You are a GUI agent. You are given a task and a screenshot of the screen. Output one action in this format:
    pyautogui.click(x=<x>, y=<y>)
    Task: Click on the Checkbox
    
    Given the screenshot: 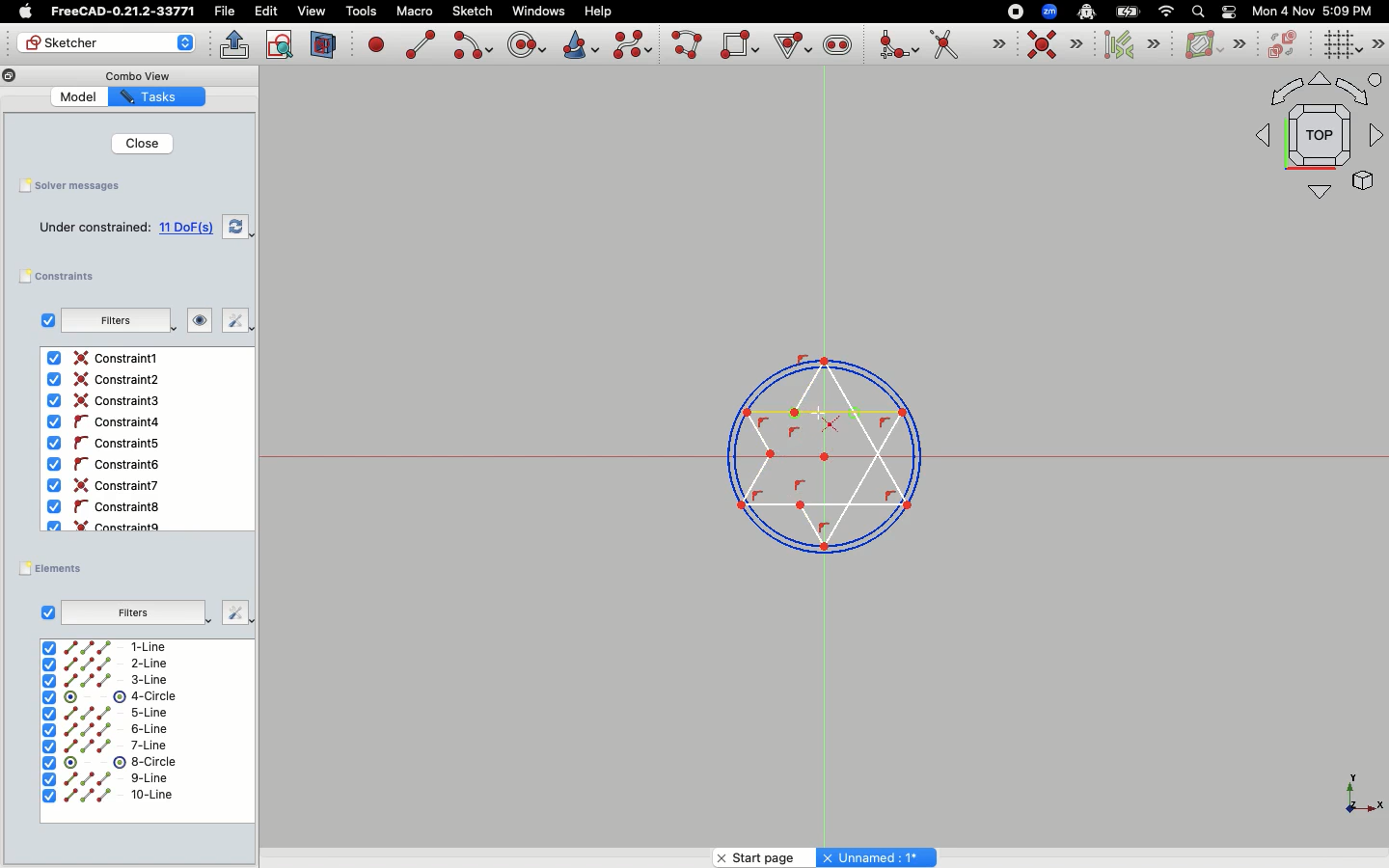 What is the action you would take?
    pyautogui.click(x=43, y=320)
    